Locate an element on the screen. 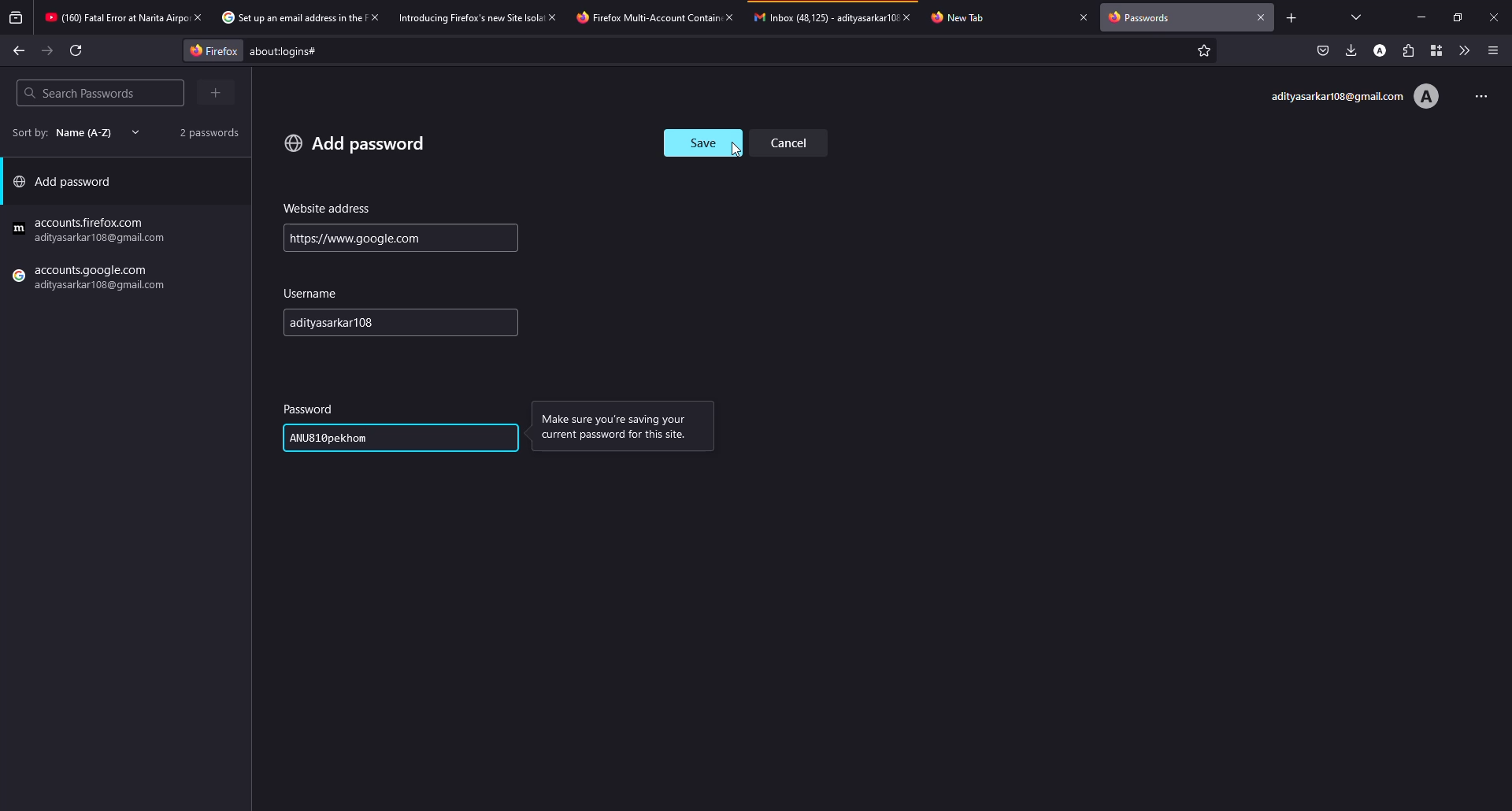 This screenshot has height=811, width=1512. password is located at coordinates (310, 408).